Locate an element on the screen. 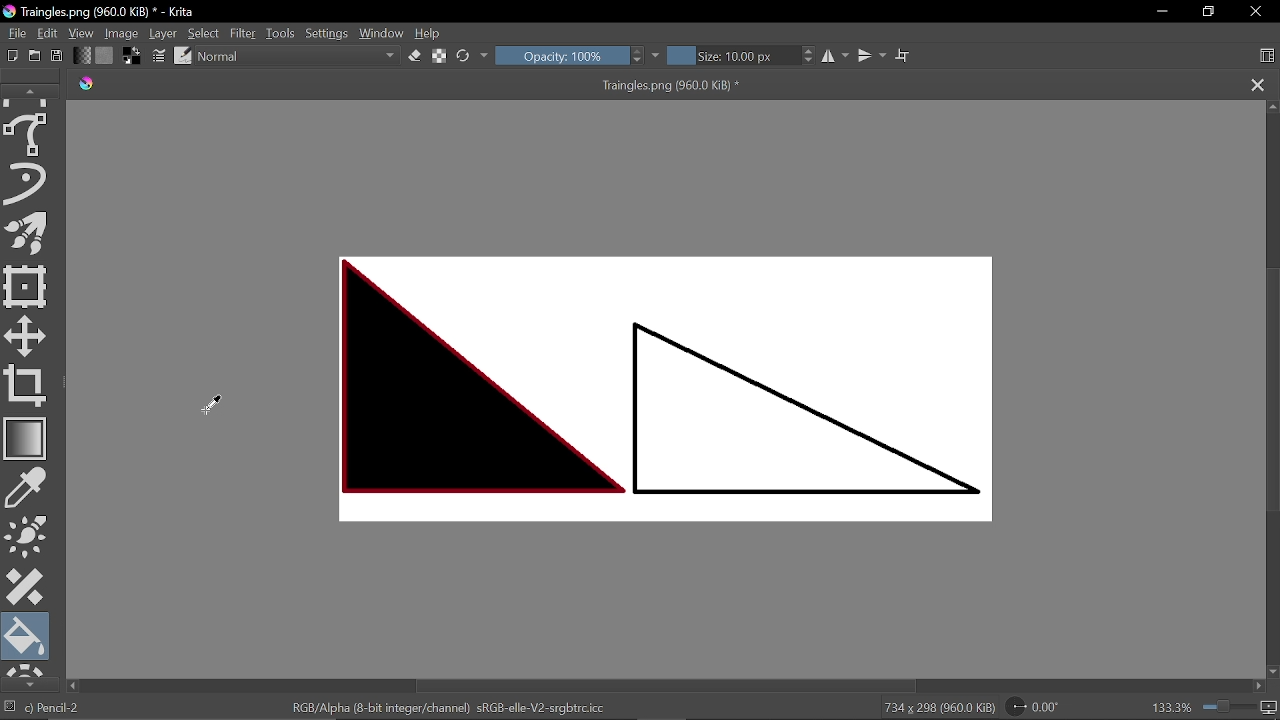 This screenshot has height=720, width=1280. Move down in tools is located at coordinates (26, 683).